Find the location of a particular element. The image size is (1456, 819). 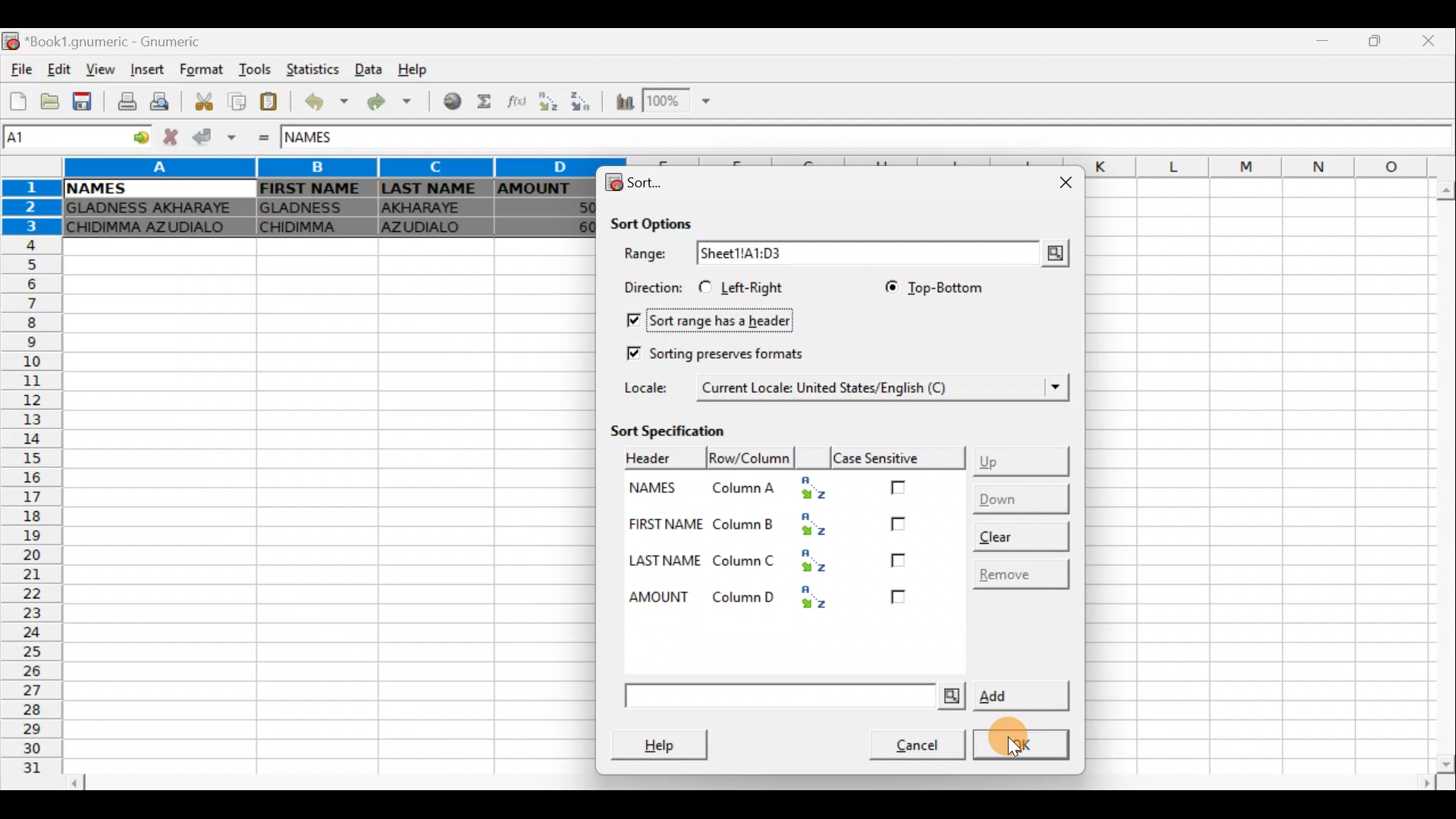

NAMES is located at coordinates (324, 139).